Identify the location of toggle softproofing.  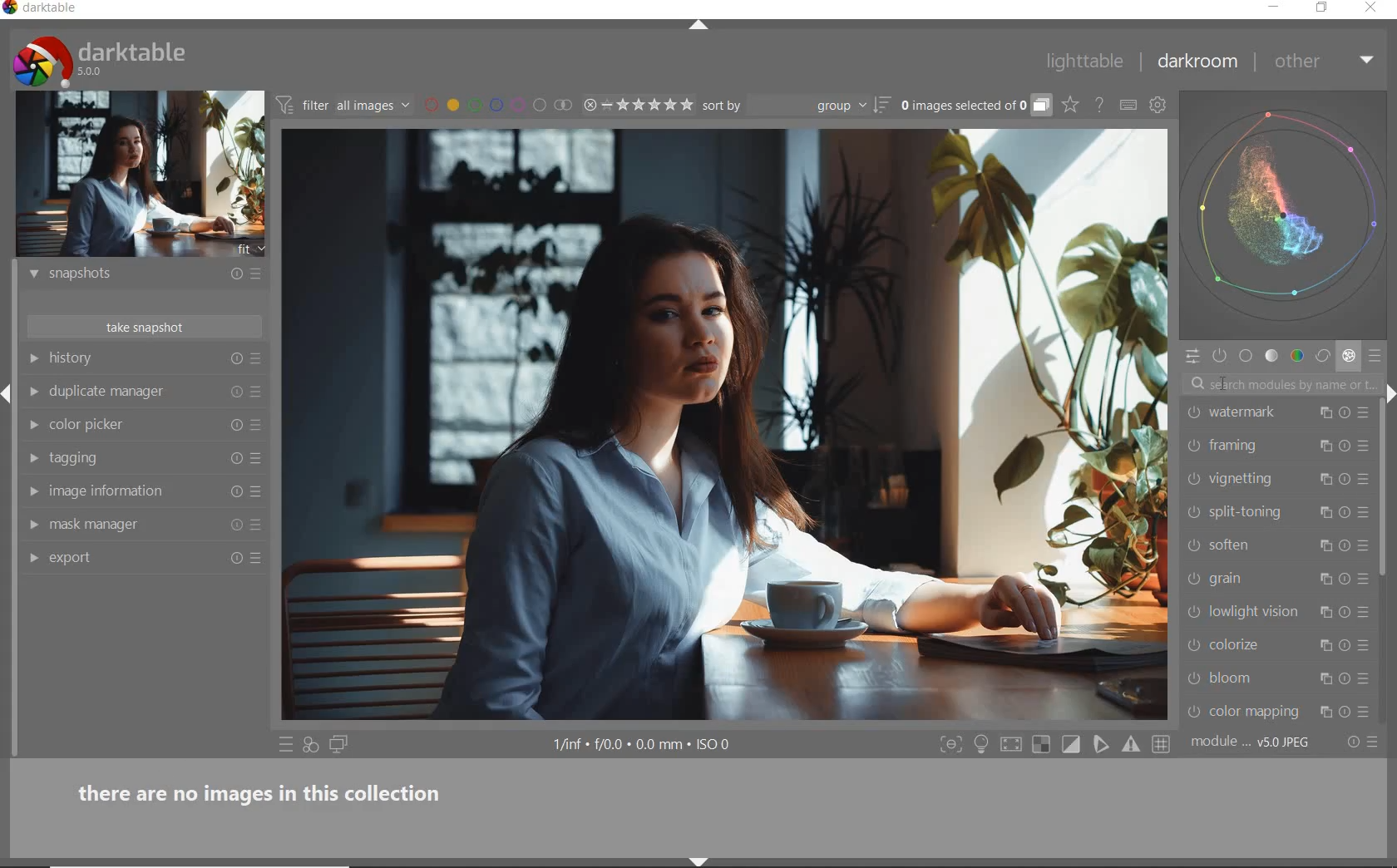
(1103, 747).